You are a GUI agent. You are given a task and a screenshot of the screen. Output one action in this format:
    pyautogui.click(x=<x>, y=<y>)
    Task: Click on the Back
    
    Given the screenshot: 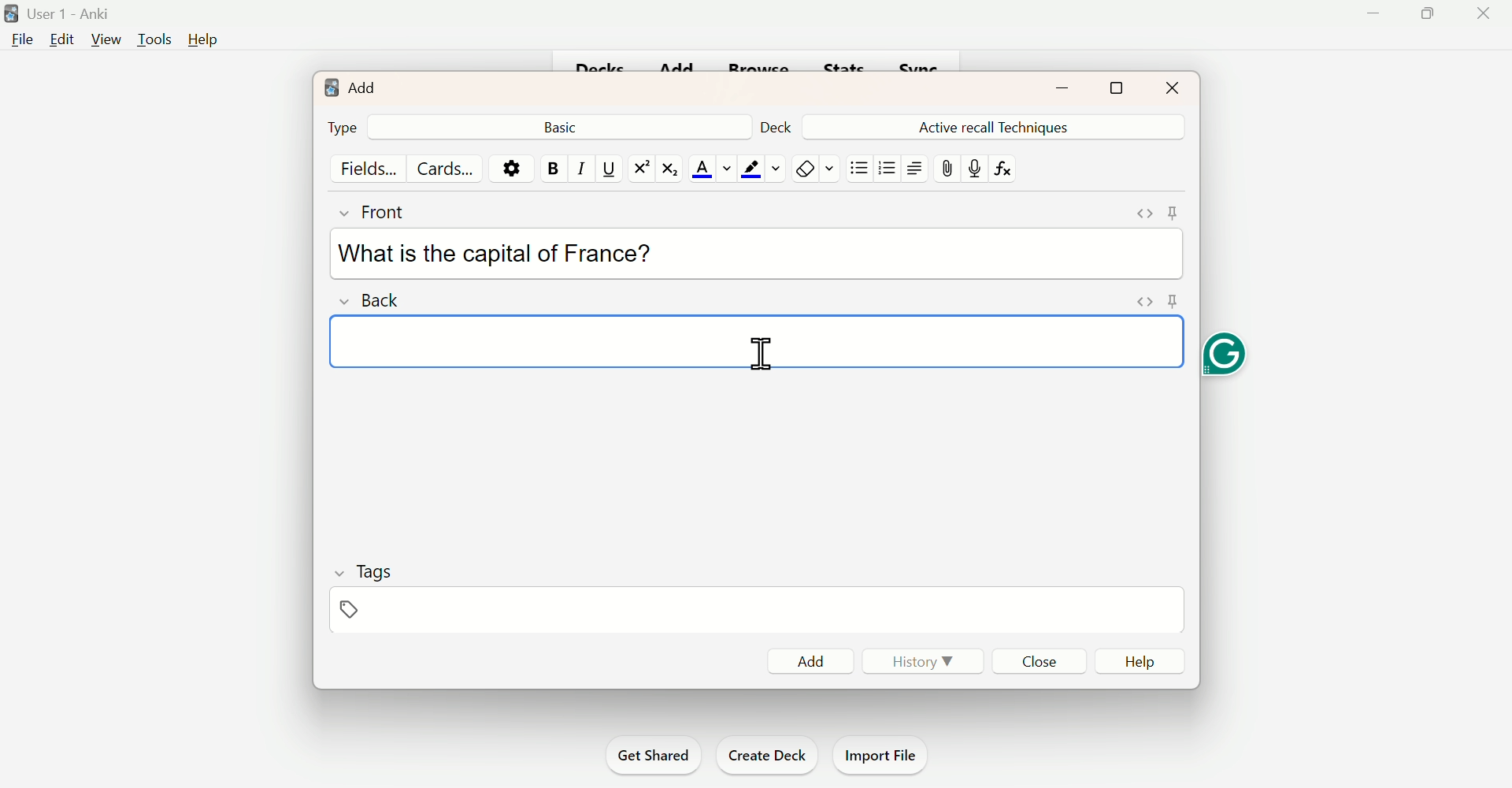 What is the action you would take?
    pyautogui.click(x=562, y=125)
    